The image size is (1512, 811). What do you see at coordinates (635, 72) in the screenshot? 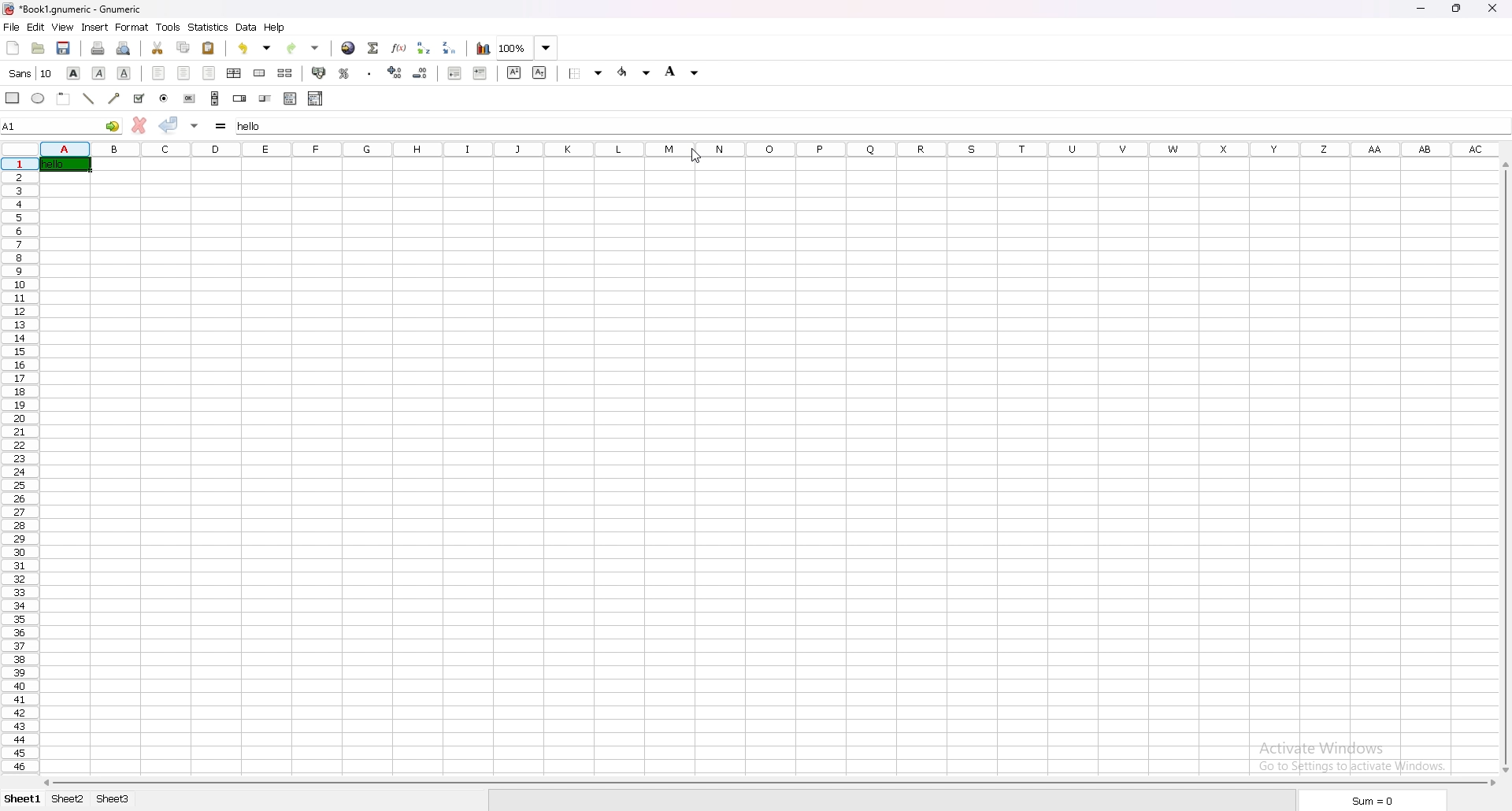
I see `foreground` at bounding box center [635, 72].